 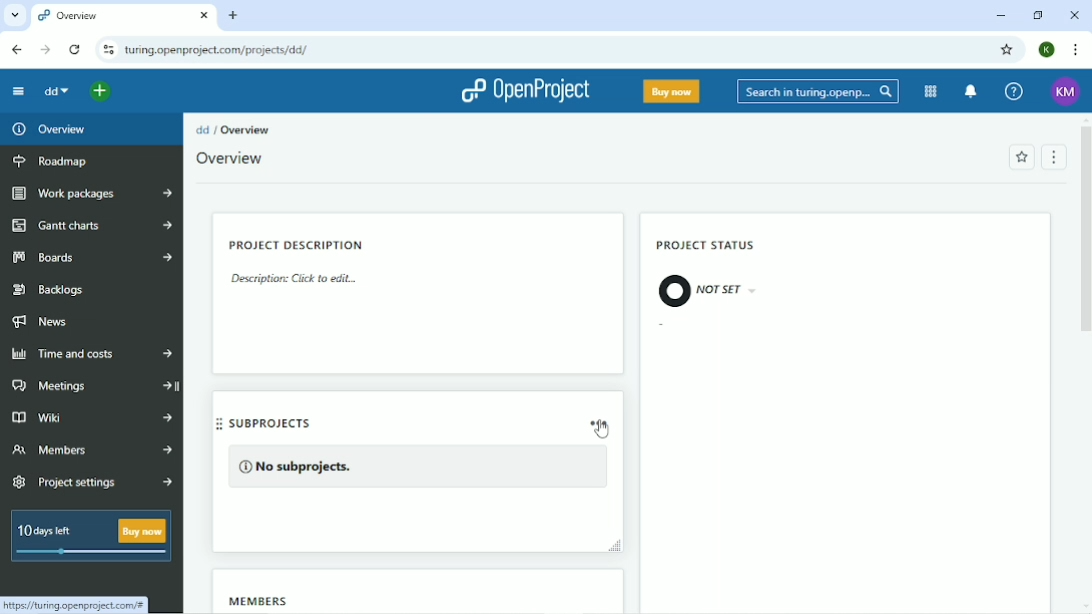 I want to click on Members, so click(x=92, y=451).